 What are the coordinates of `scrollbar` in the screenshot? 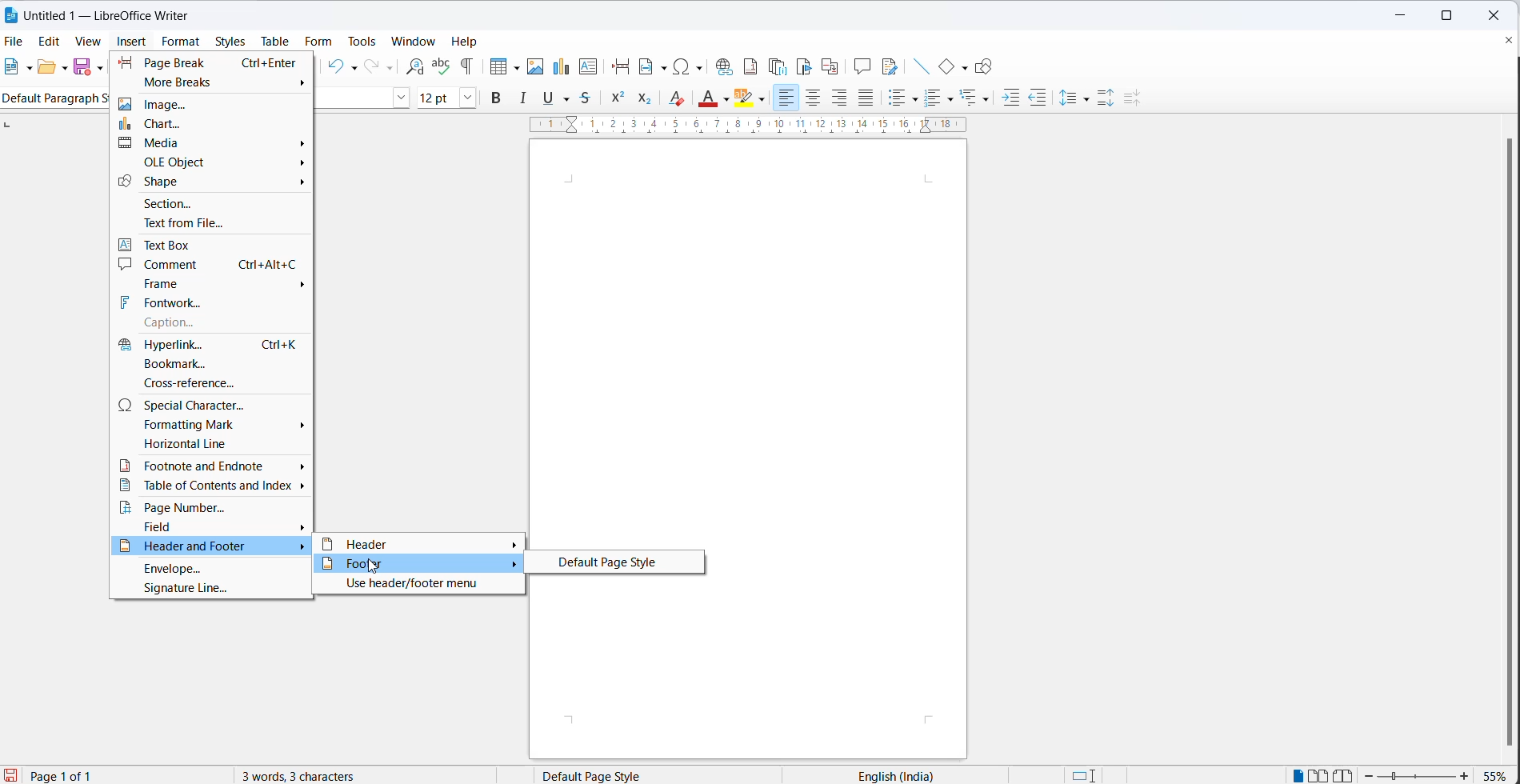 It's located at (1503, 437).